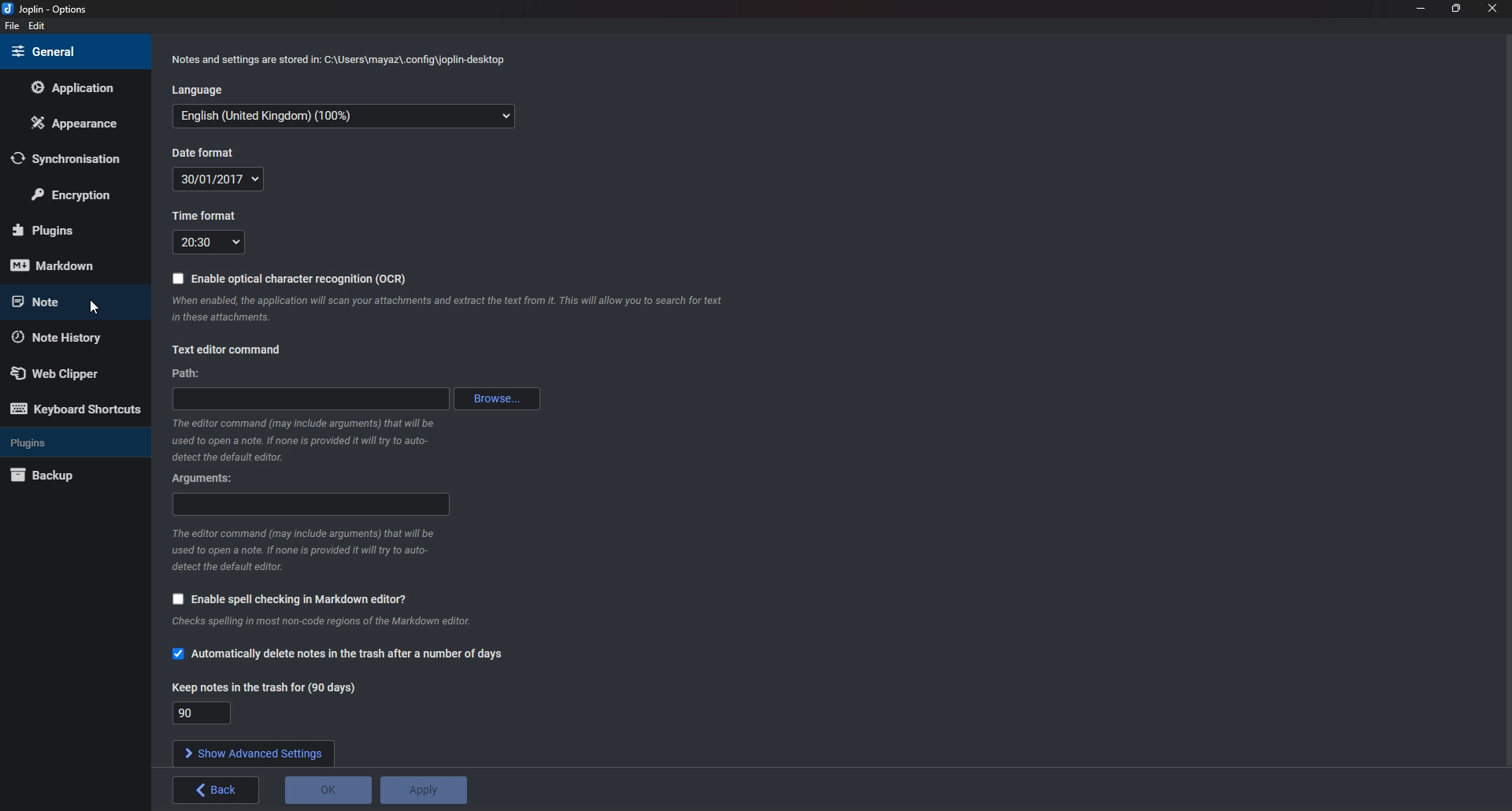 The height and width of the screenshot is (811, 1512). I want to click on close, so click(1492, 7).